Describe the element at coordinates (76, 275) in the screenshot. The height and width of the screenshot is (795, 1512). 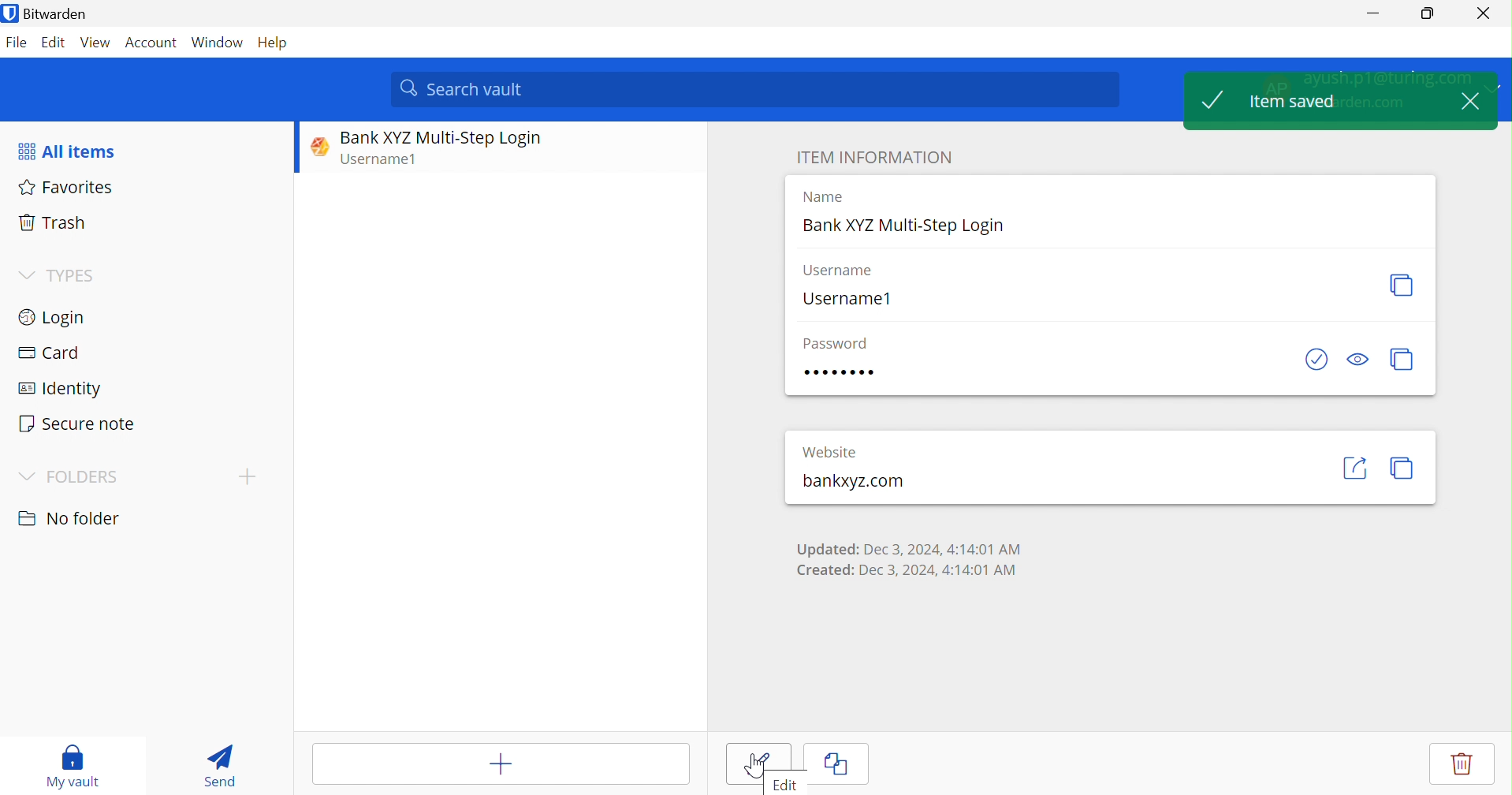
I see `TYPES` at that location.